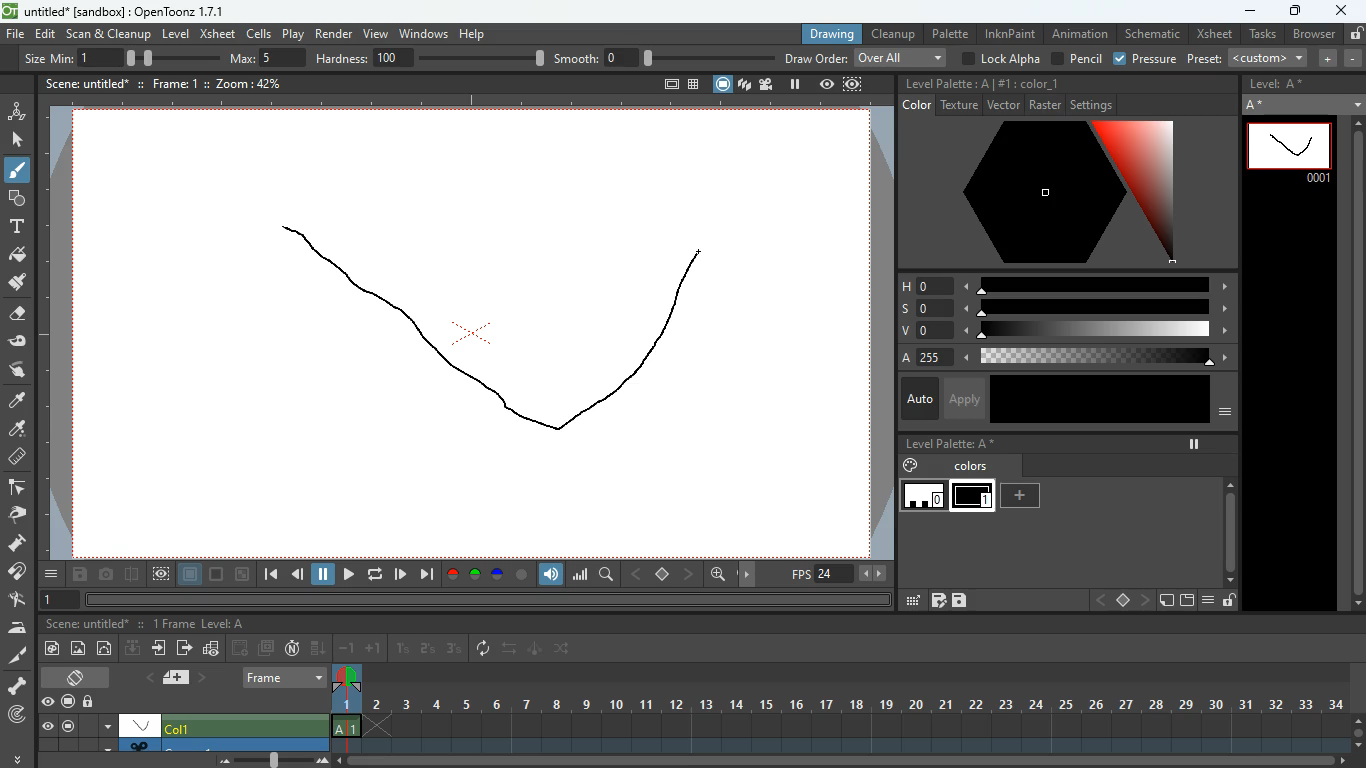 Image resolution: width=1366 pixels, height=768 pixels. What do you see at coordinates (109, 35) in the screenshot?
I see `scan & cleanup` at bounding box center [109, 35].